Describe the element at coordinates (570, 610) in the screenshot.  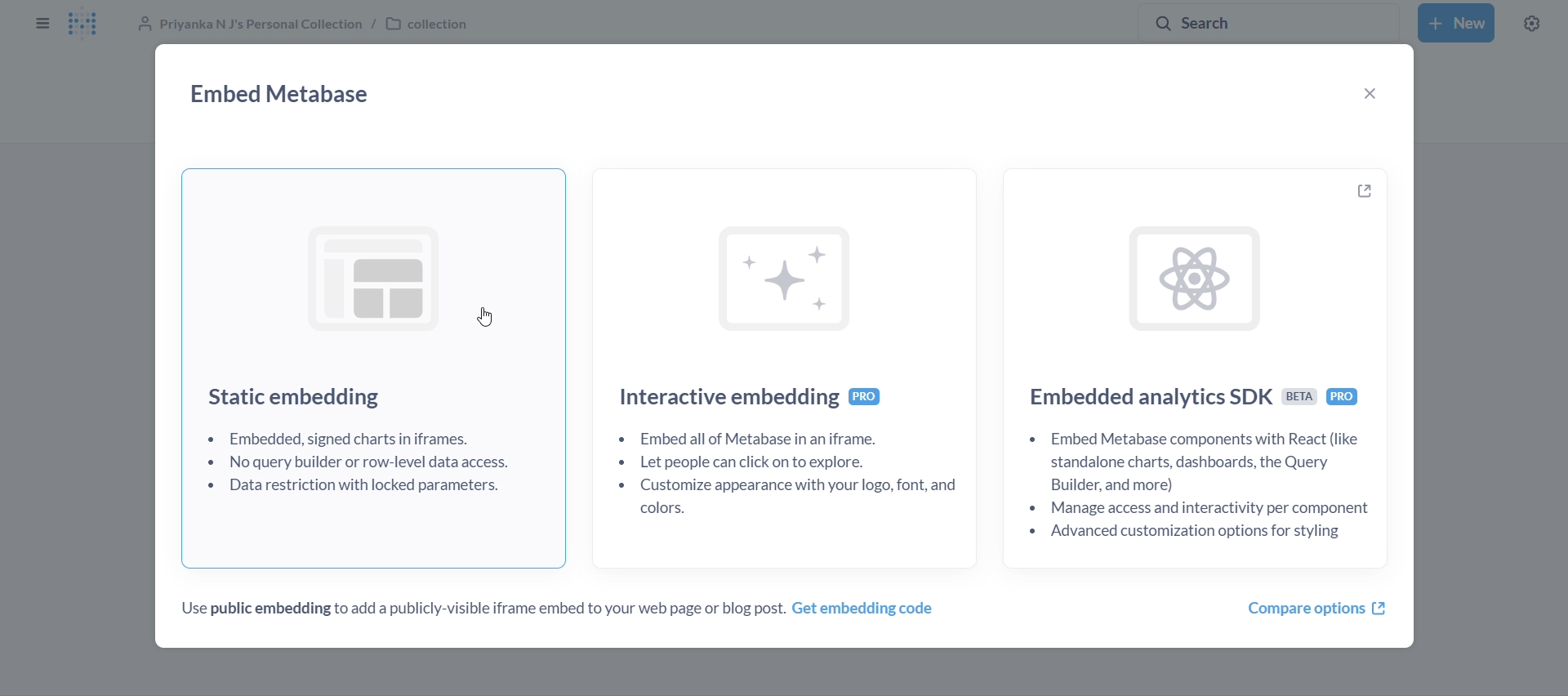
I see `Use public embedding to add a publicly-visible iframe embed to your web page or blog post. Get embedding code` at that location.